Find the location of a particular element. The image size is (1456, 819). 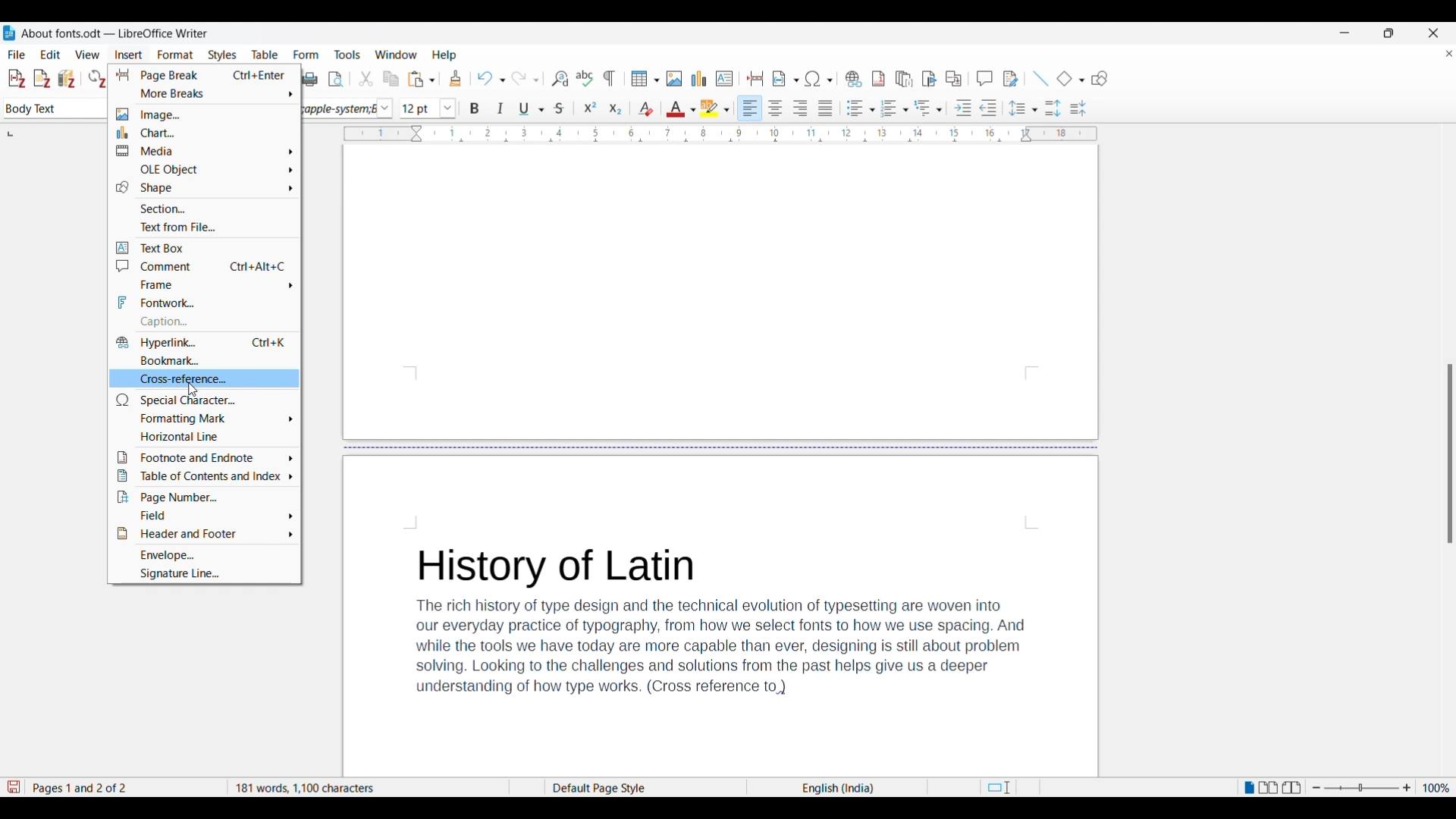

Special character options is located at coordinates (819, 78).